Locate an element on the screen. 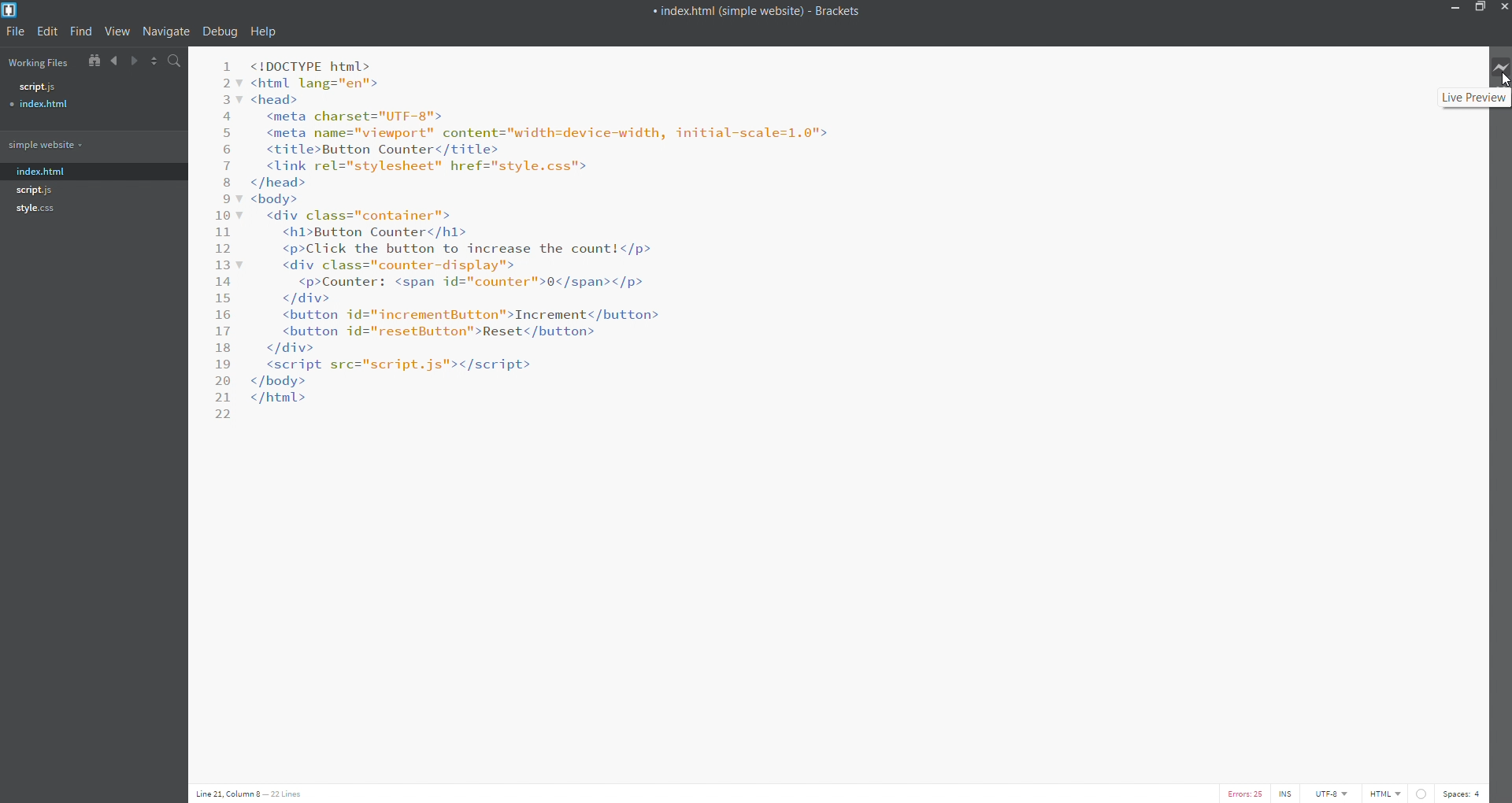  debug is located at coordinates (218, 33).